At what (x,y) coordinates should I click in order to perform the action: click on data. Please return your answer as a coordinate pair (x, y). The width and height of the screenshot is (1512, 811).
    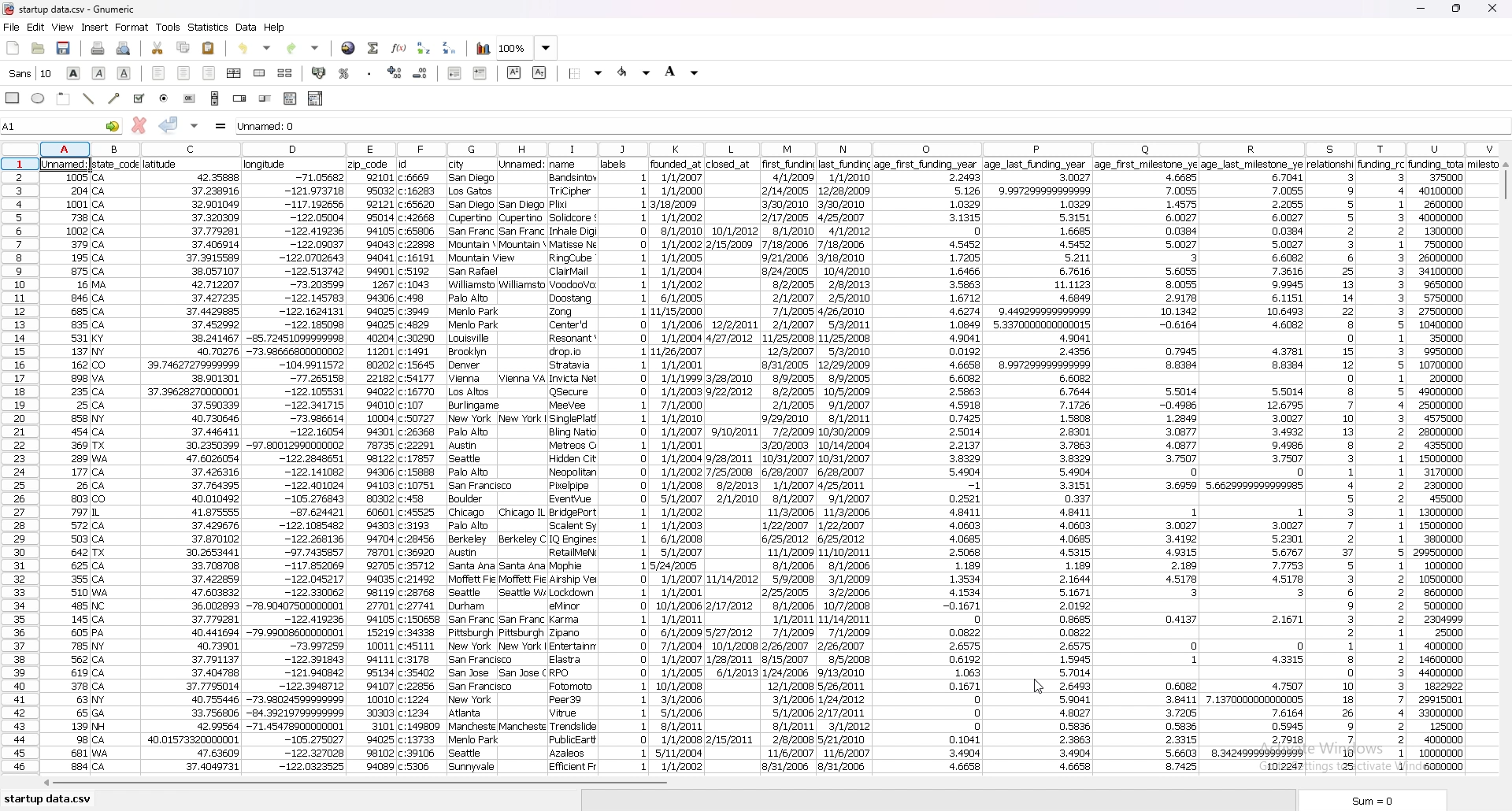
    Looking at the image, I should click on (1039, 468).